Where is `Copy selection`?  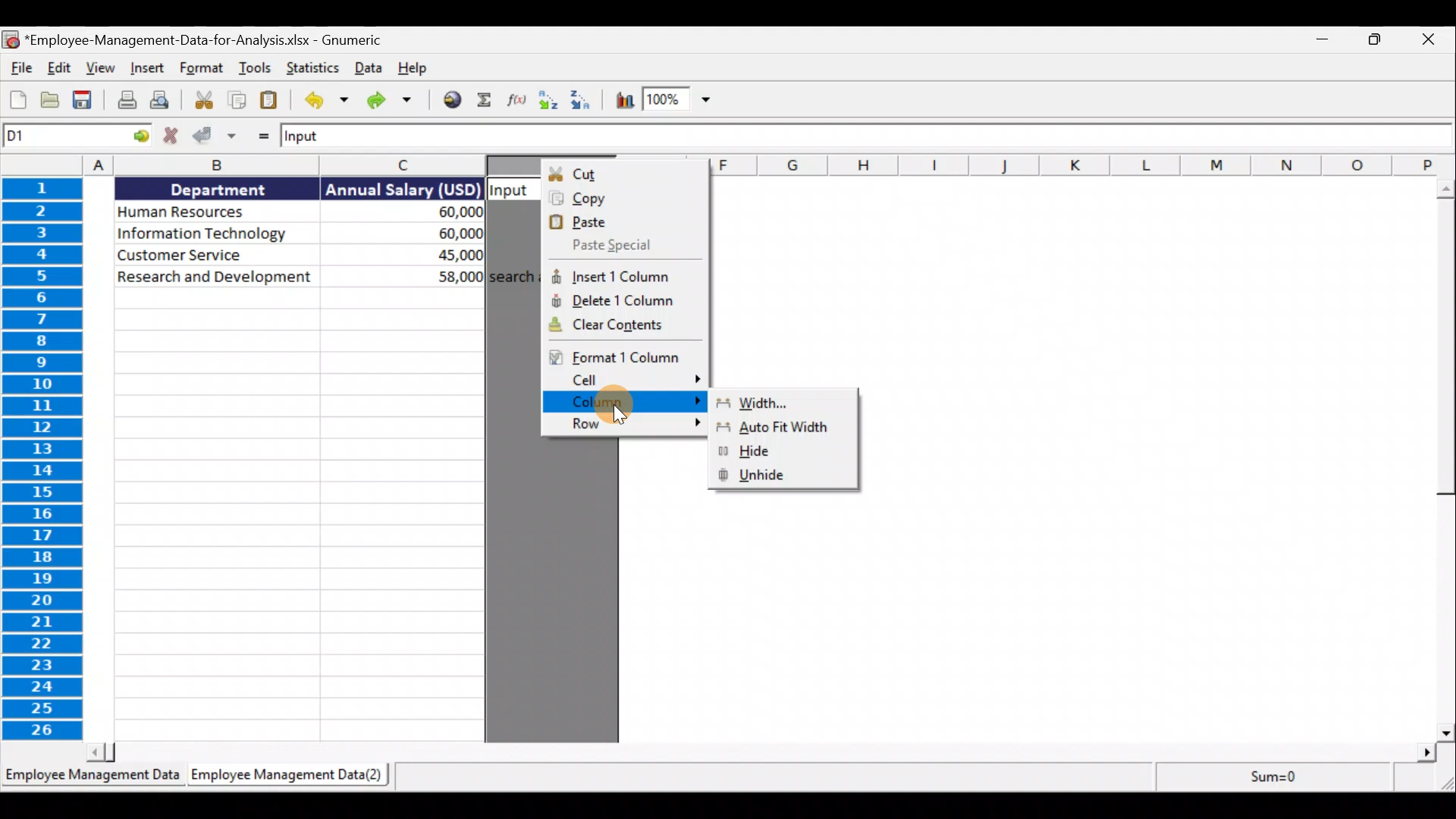
Copy selection is located at coordinates (240, 100).